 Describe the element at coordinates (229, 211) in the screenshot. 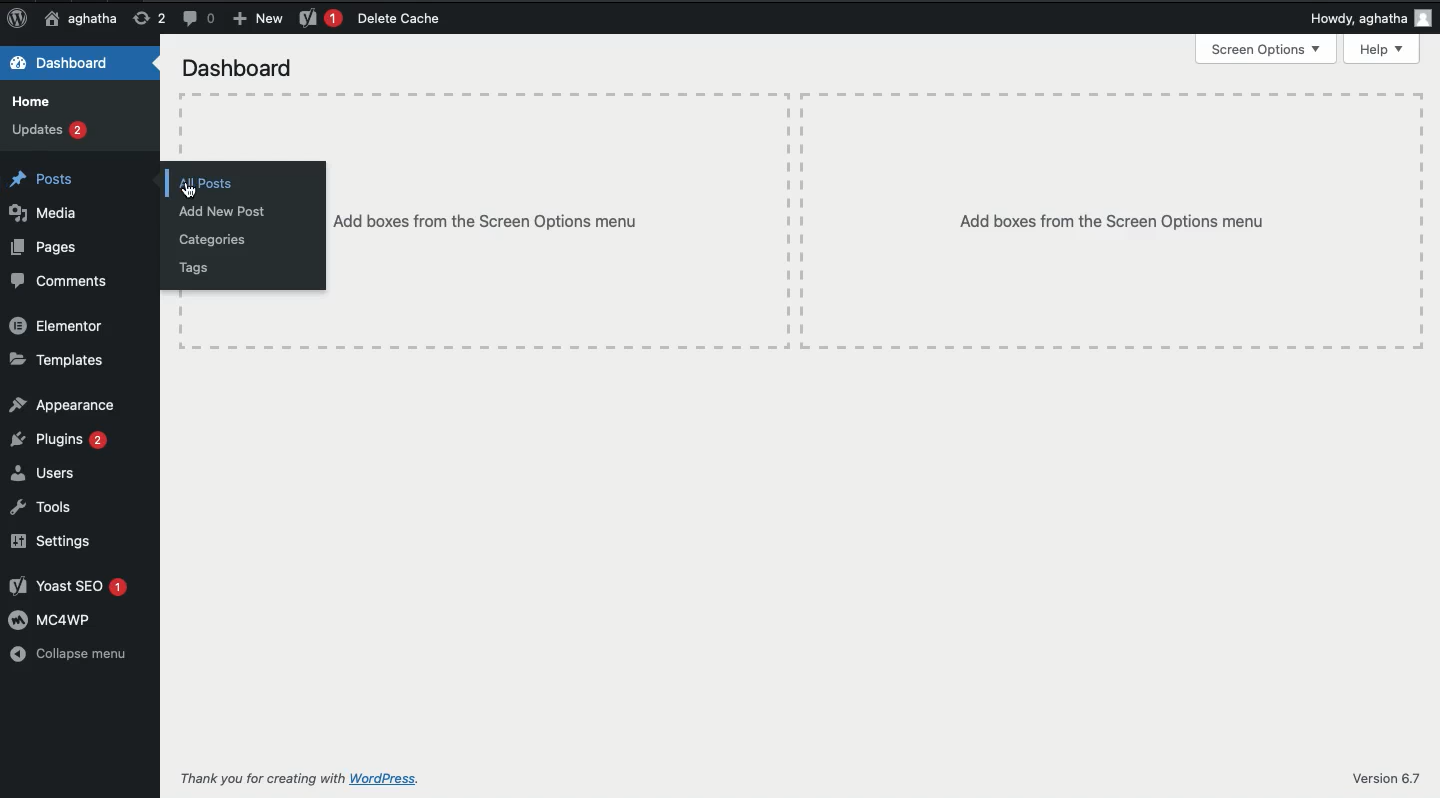

I see `Add New Post` at that location.